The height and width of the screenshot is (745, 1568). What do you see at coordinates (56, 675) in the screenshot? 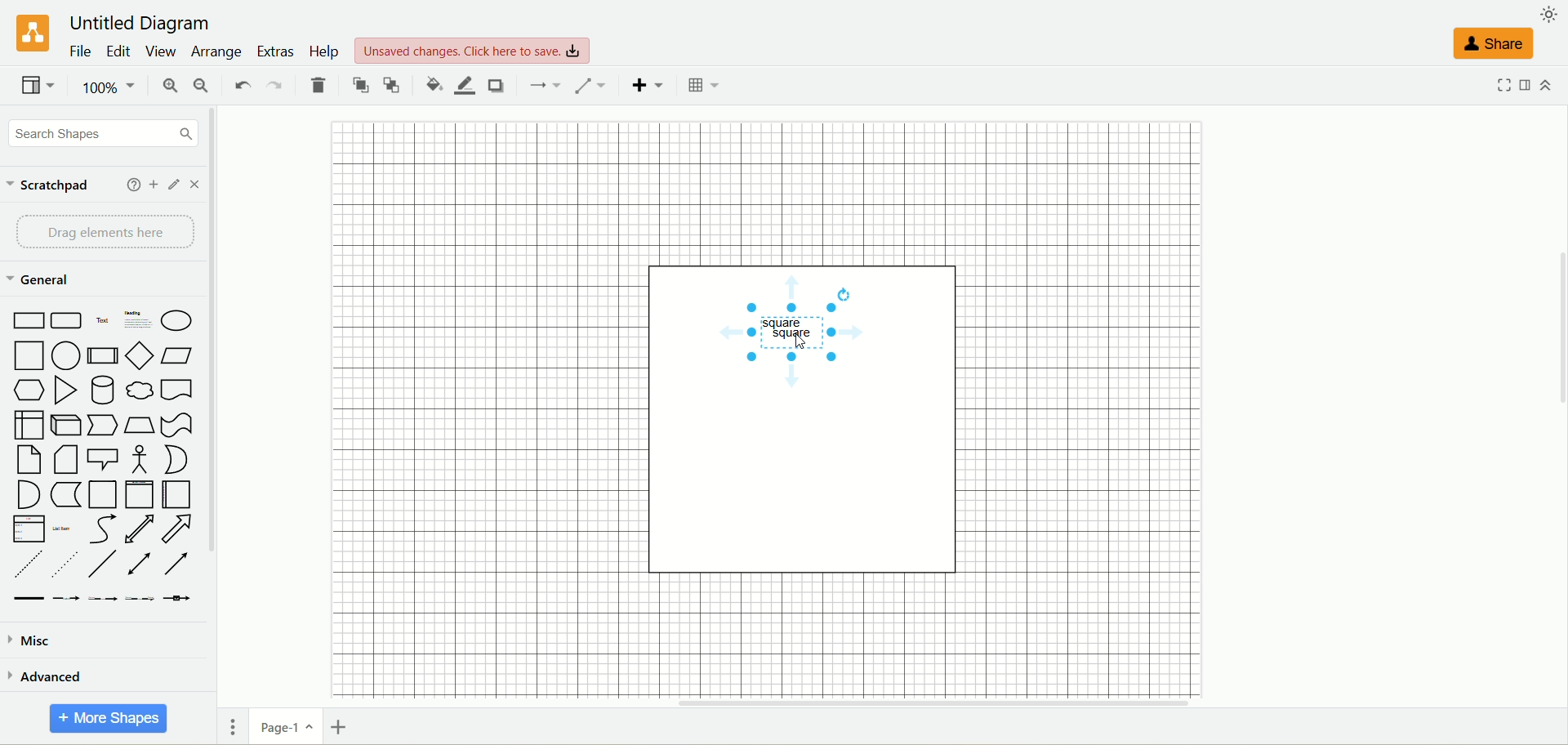
I see `advanced` at bounding box center [56, 675].